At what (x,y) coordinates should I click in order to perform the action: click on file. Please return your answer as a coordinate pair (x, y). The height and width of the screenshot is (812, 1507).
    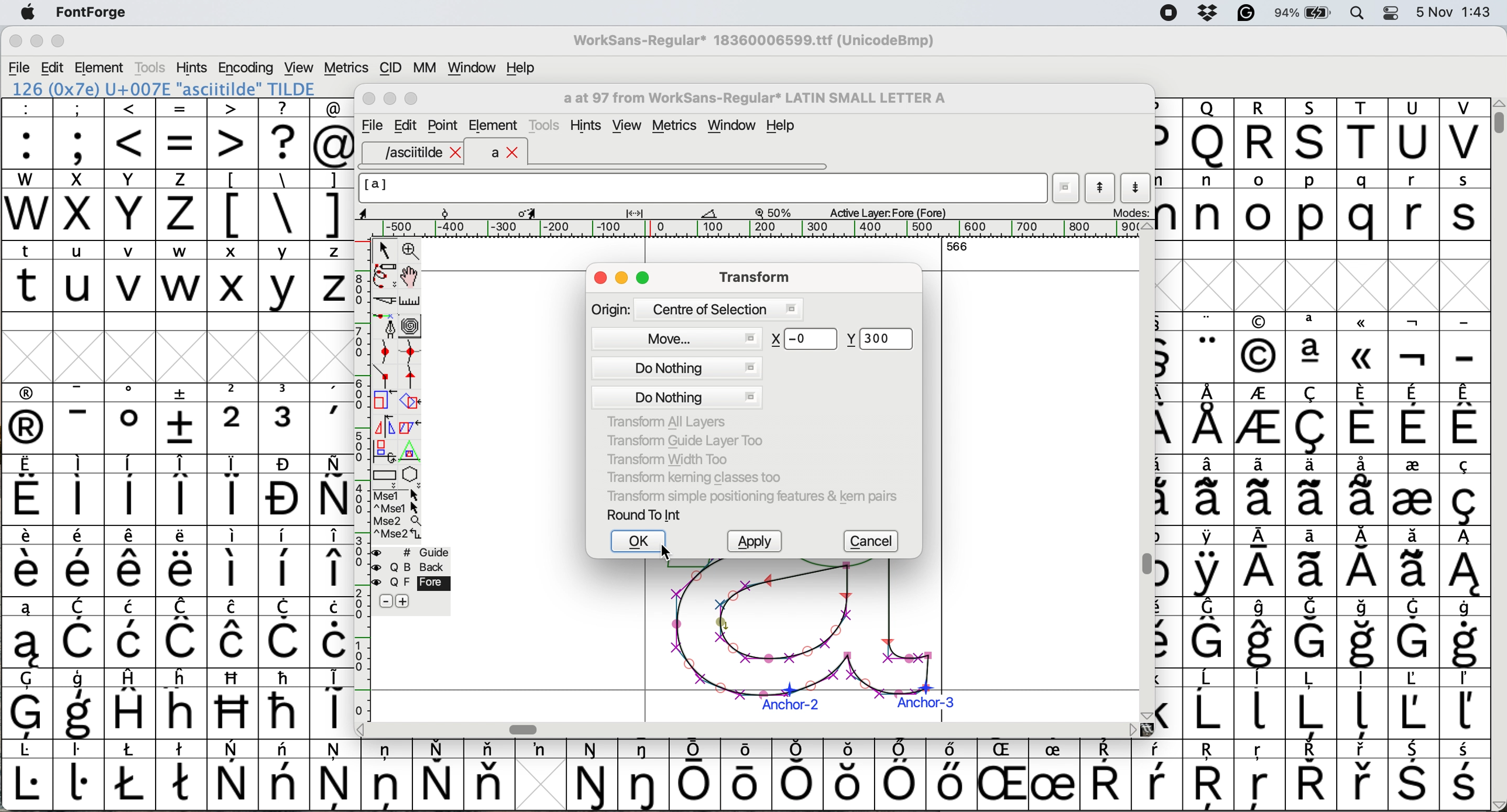
    Looking at the image, I should click on (370, 126).